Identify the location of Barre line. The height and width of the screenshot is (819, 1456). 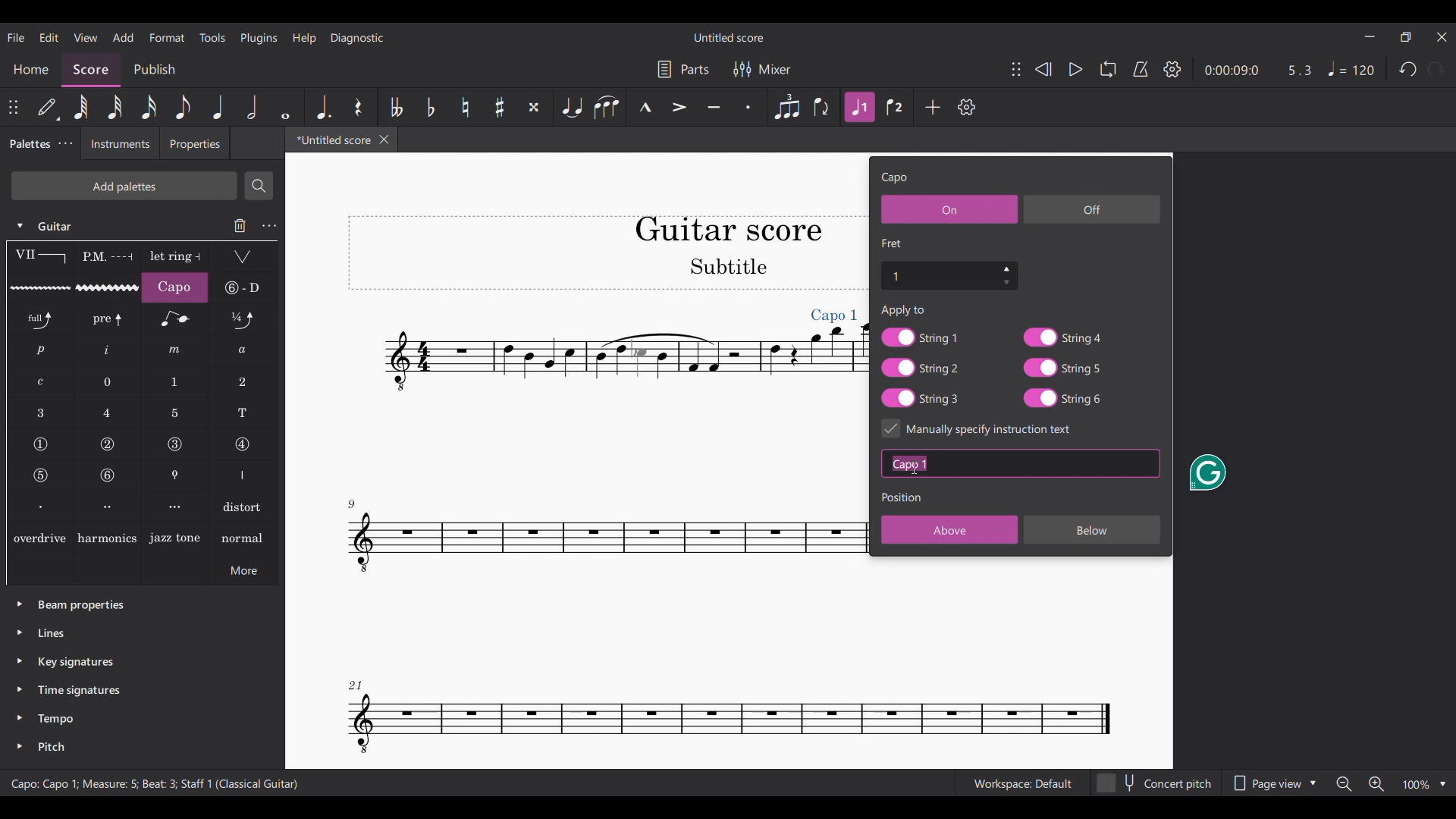
(40, 257).